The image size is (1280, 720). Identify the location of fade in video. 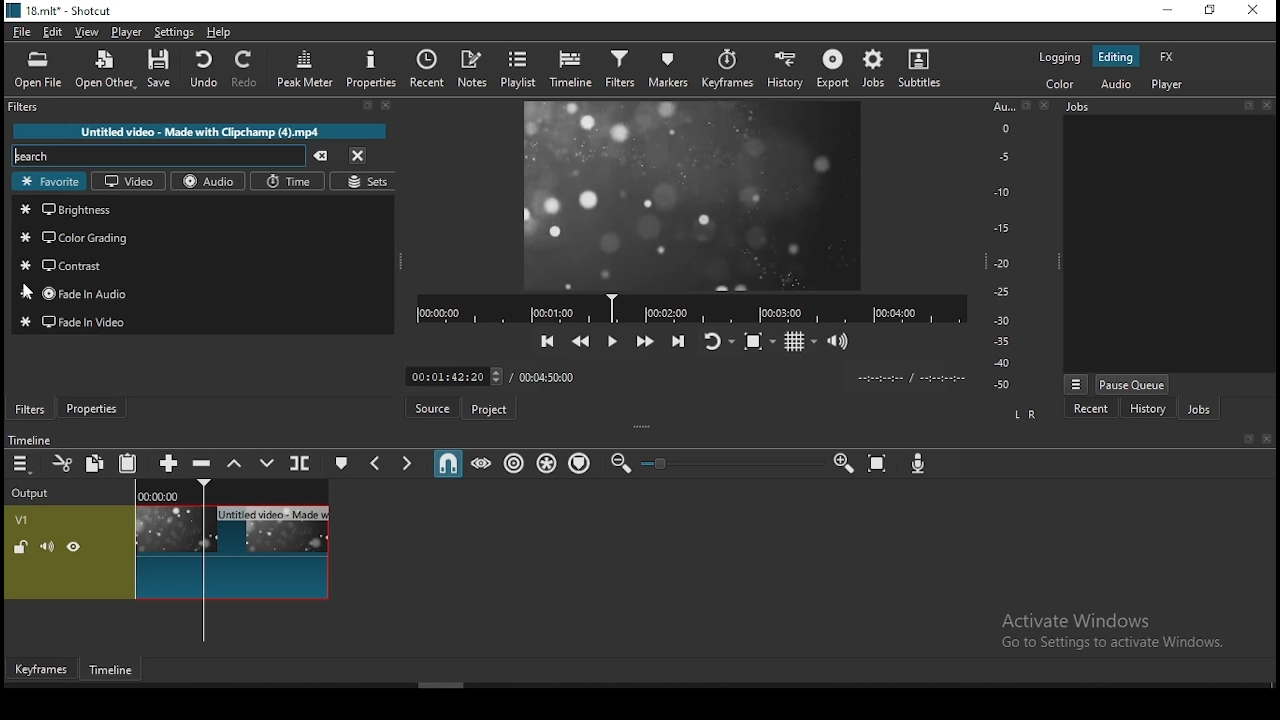
(206, 323).